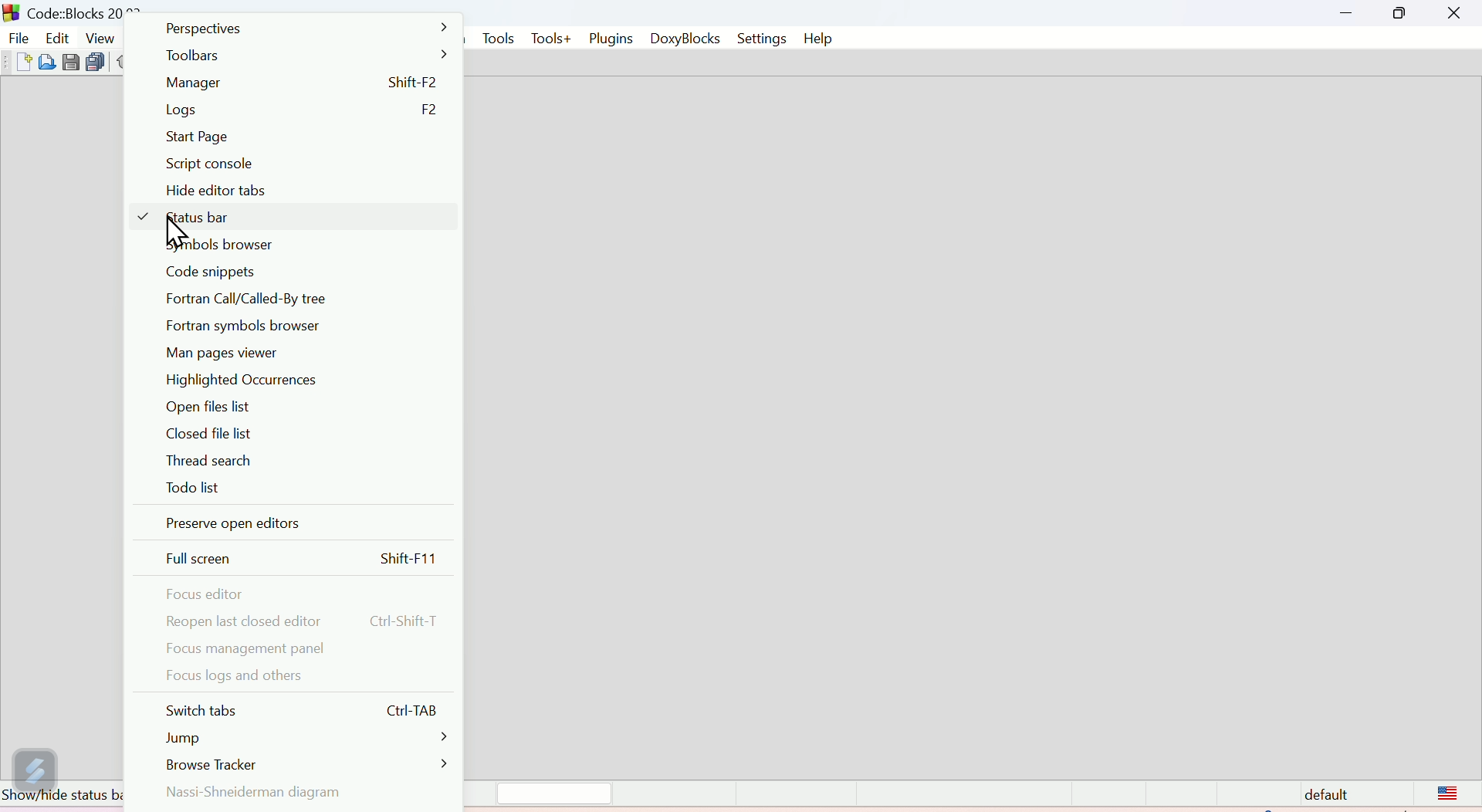  I want to click on Perspective, so click(308, 32).